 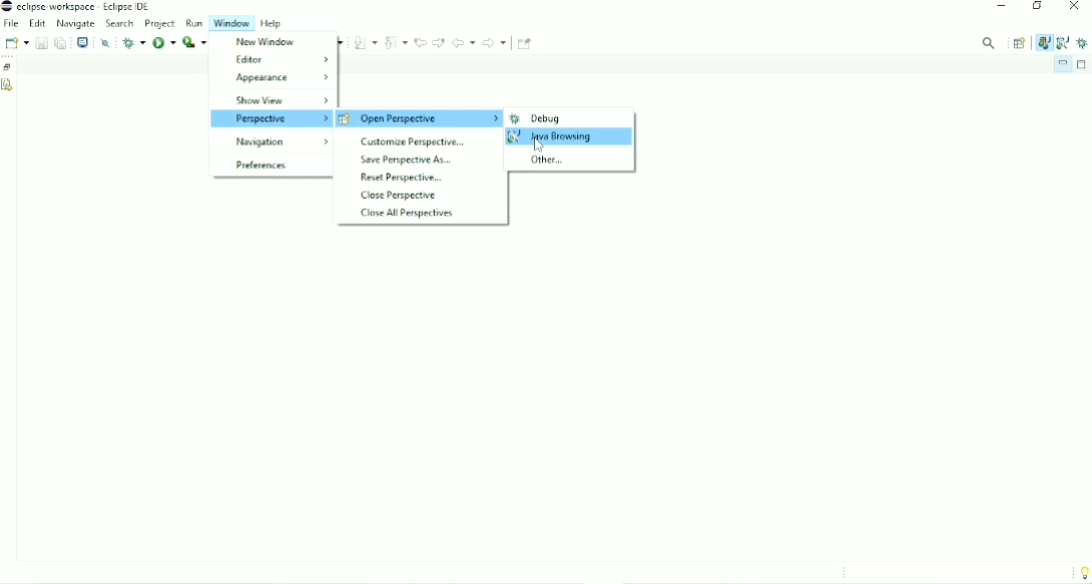 I want to click on Close All Perspectives, so click(x=406, y=213).